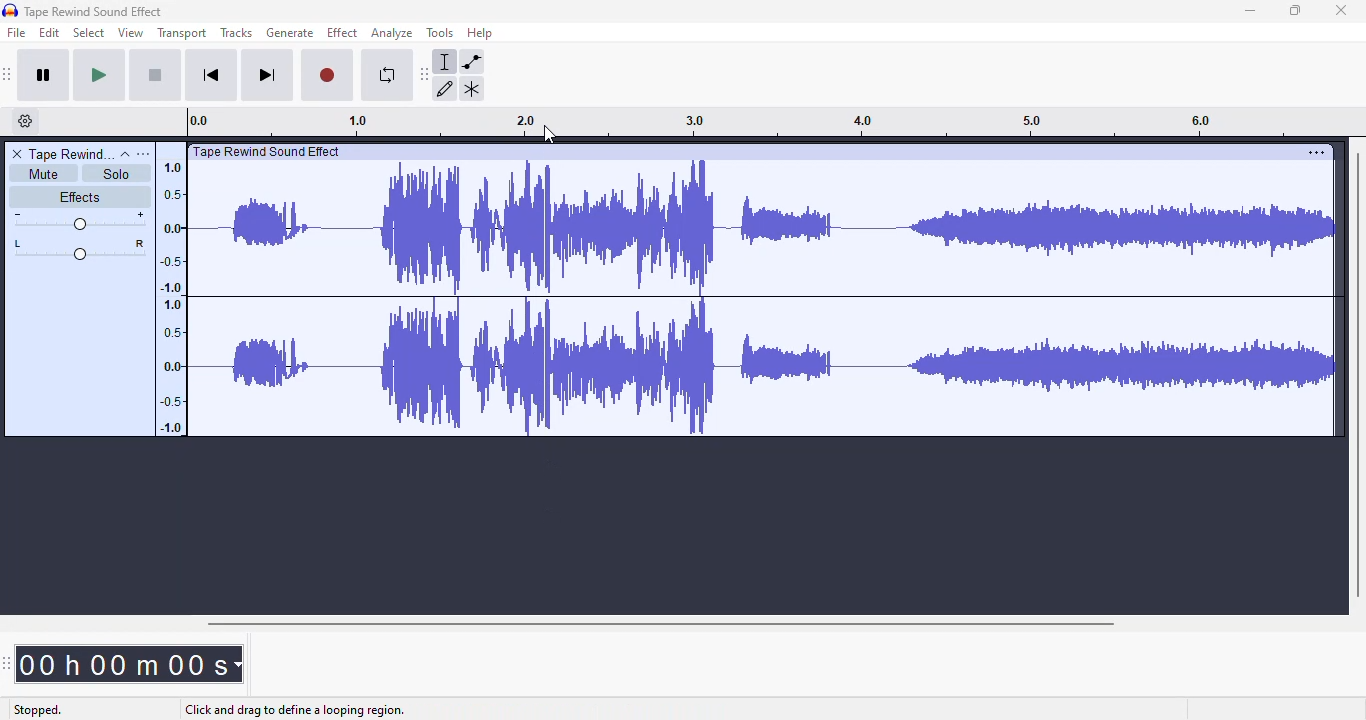 The image size is (1366, 720). I want to click on draw tool, so click(447, 88).